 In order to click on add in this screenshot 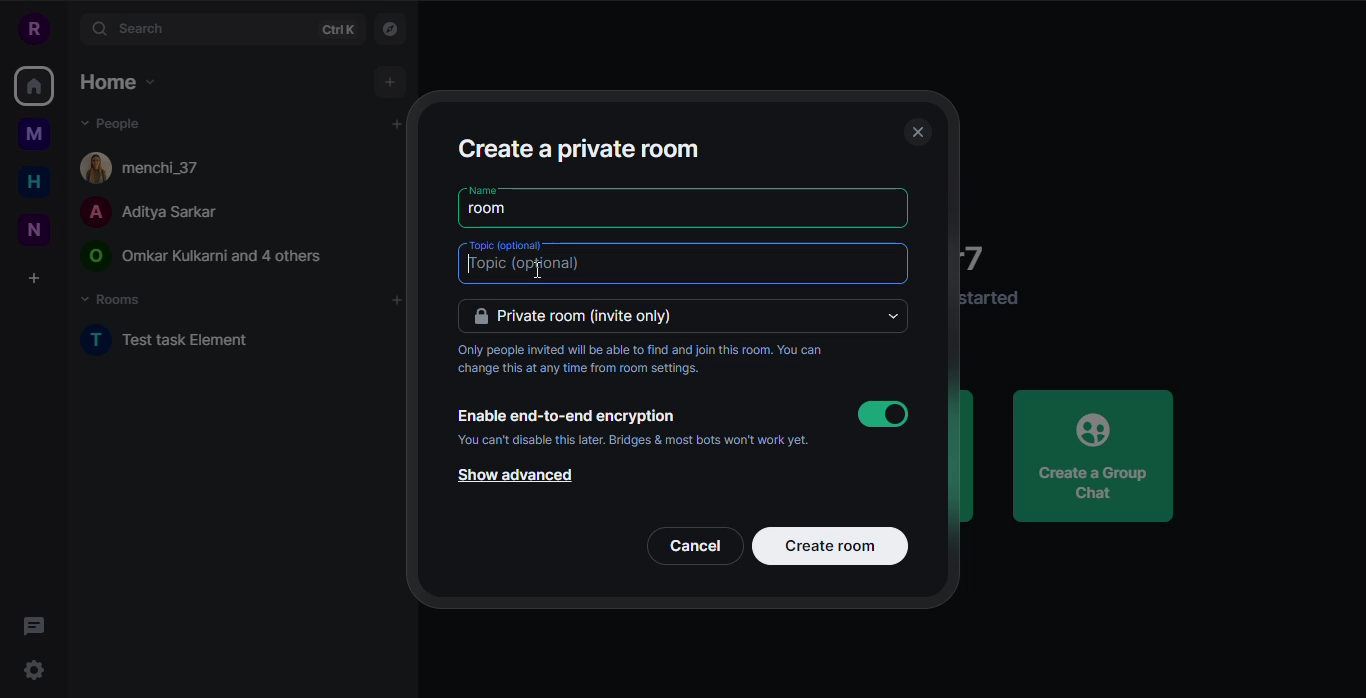, I will do `click(395, 301)`.